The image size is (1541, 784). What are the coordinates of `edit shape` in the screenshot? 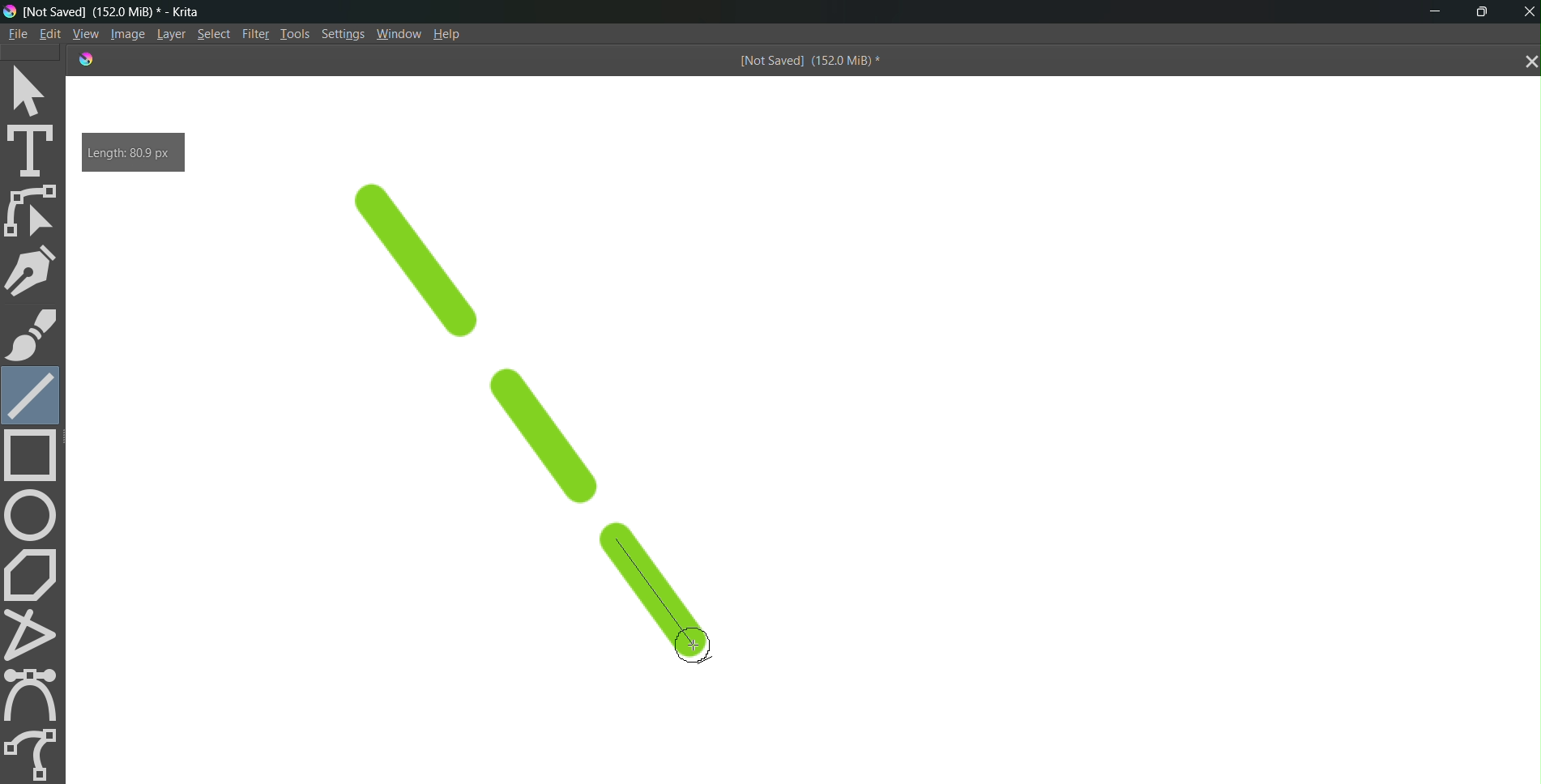 It's located at (35, 211).